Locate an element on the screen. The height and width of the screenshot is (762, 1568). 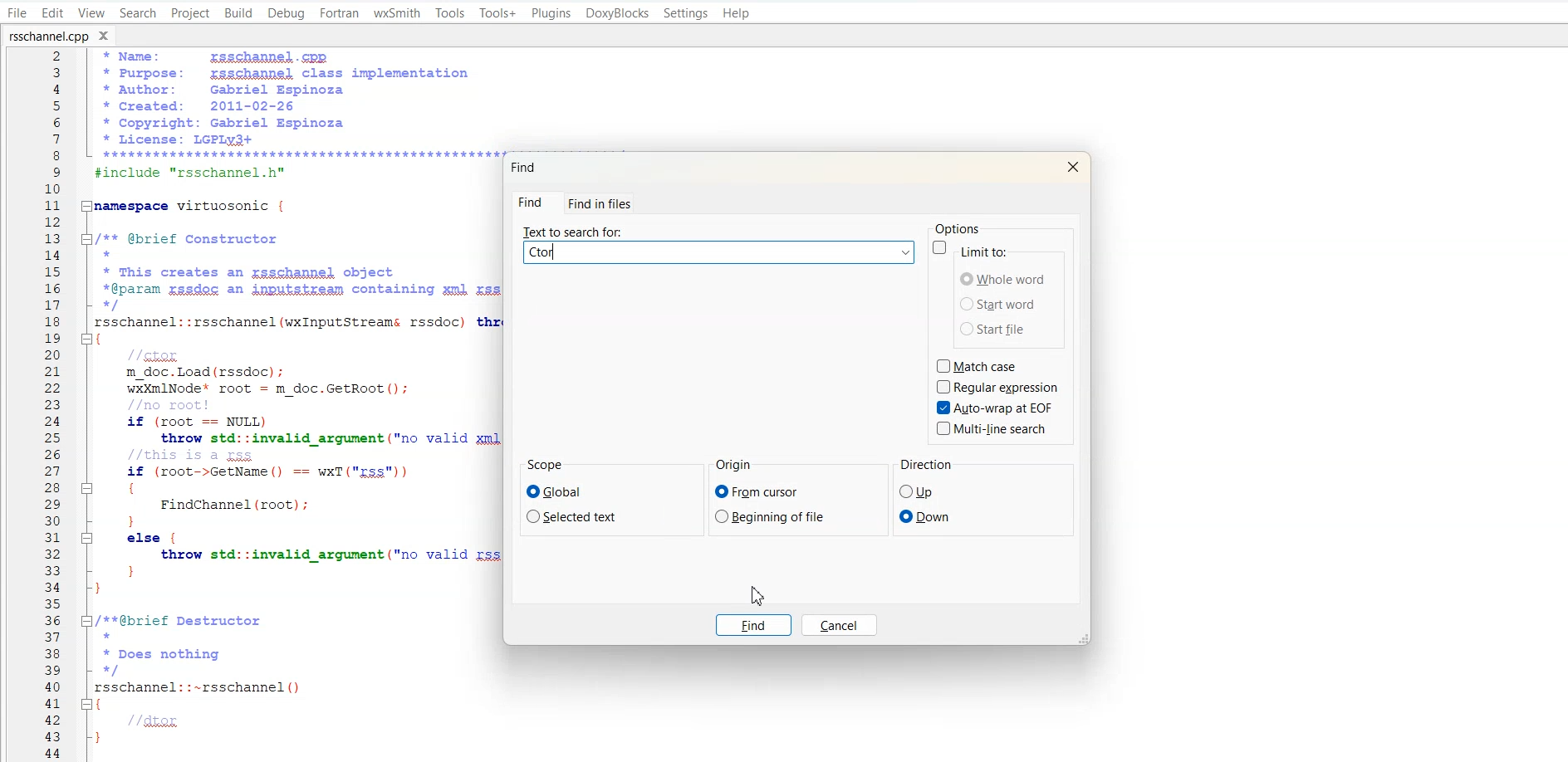
Build is located at coordinates (239, 13).